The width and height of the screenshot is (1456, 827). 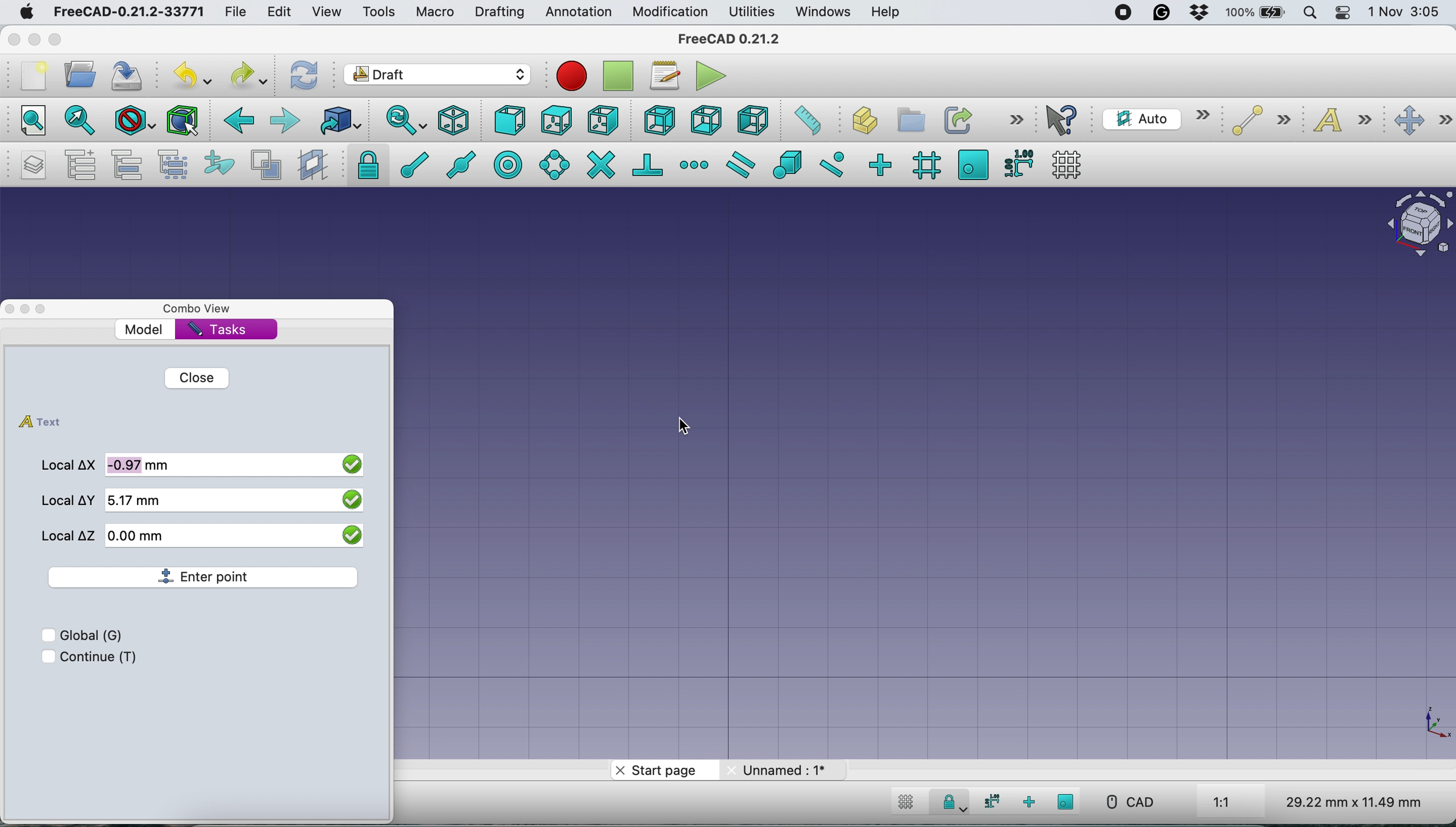 I want to click on sync view, so click(x=405, y=120).